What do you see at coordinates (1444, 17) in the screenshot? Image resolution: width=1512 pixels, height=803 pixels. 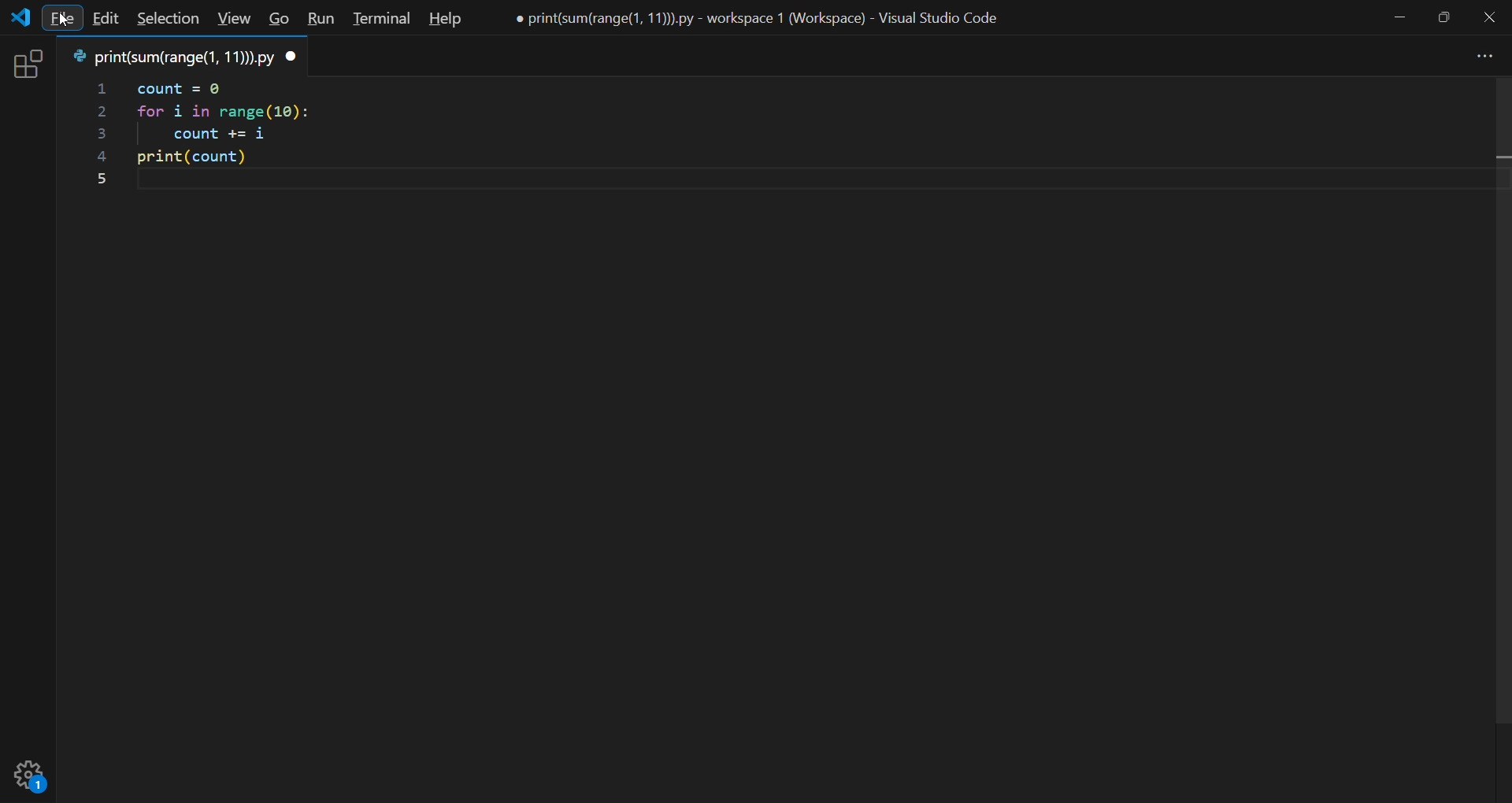 I see `maximize` at bounding box center [1444, 17].